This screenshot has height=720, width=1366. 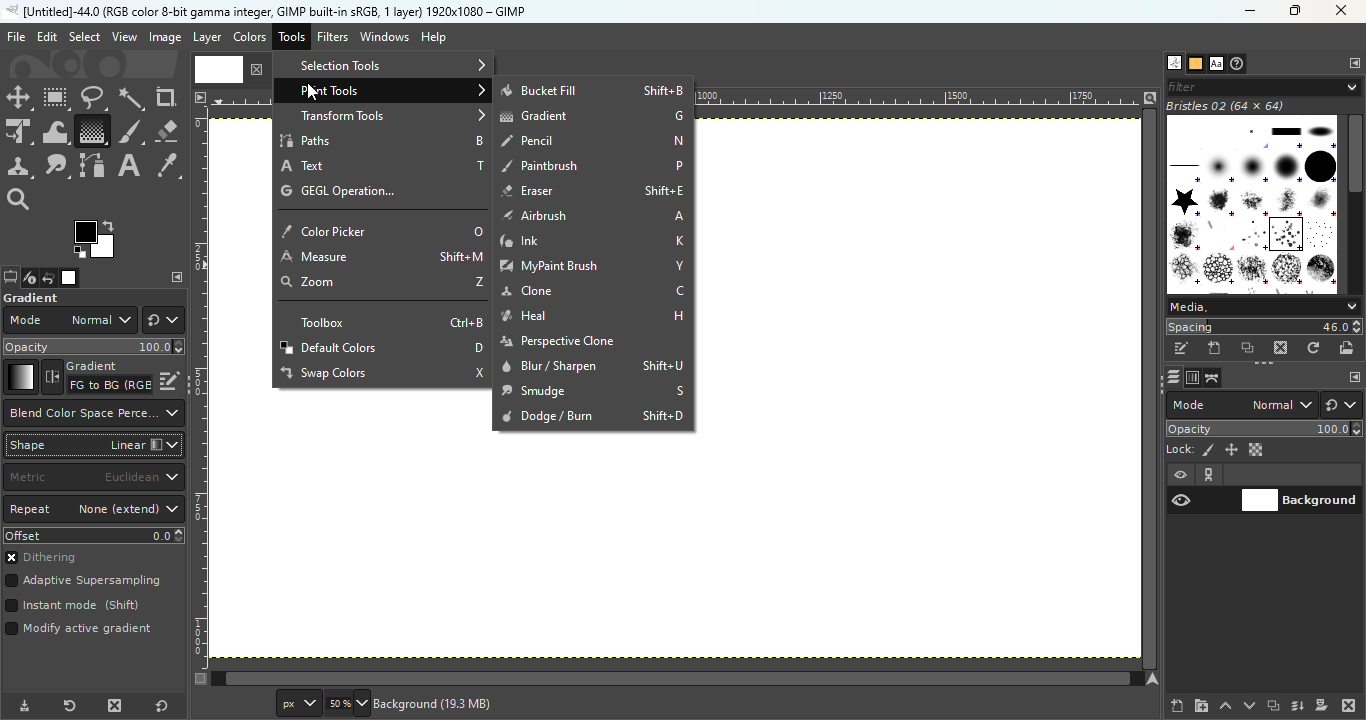 What do you see at coordinates (379, 285) in the screenshot?
I see `zoom` at bounding box center [379, 285].